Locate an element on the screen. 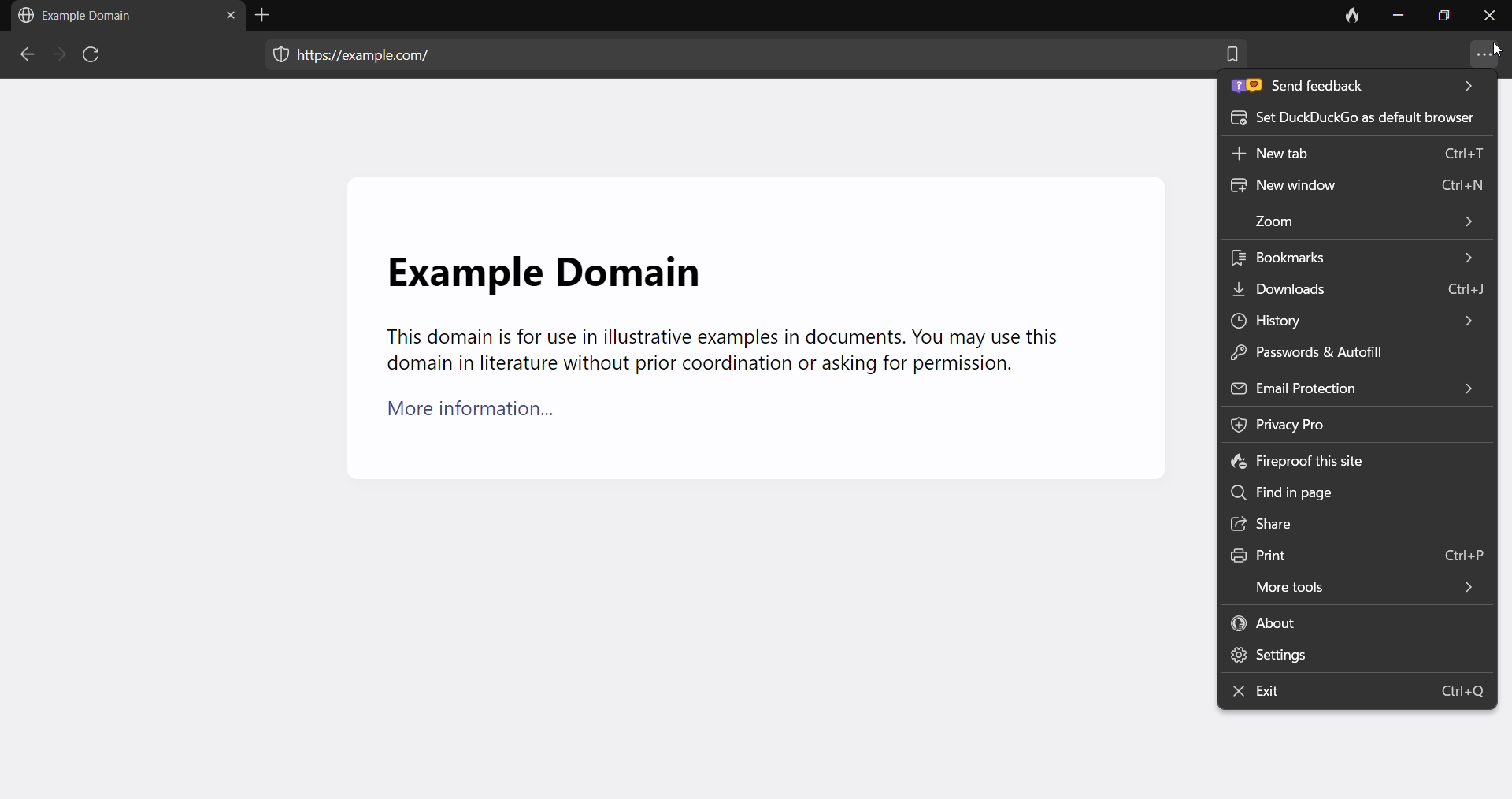 Image resolution: width=1512 pixels, height=799 pixels. send feedback is located at coordinates (1354, 90).